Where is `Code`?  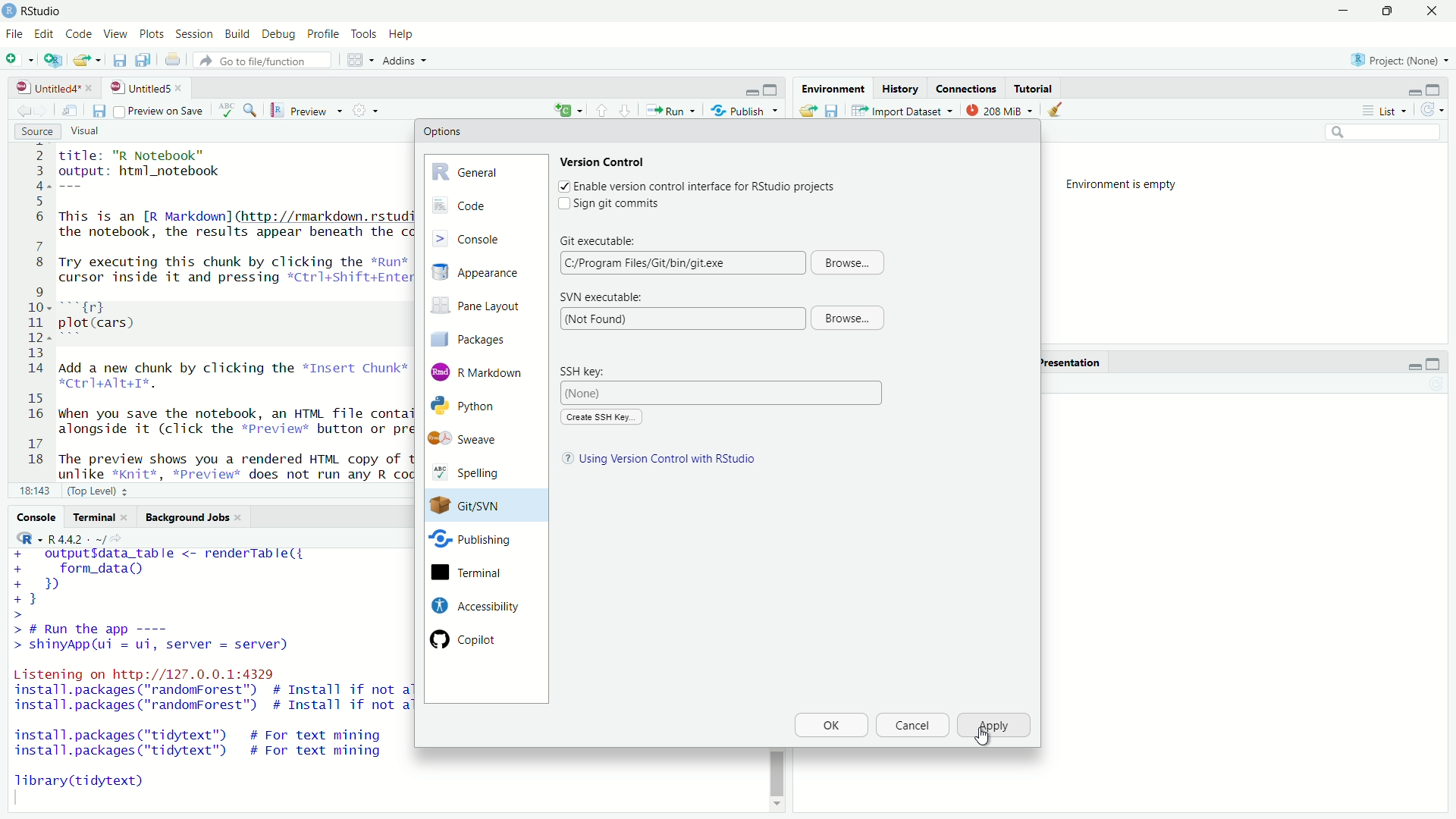
Code is located at coordinates (485, 206).